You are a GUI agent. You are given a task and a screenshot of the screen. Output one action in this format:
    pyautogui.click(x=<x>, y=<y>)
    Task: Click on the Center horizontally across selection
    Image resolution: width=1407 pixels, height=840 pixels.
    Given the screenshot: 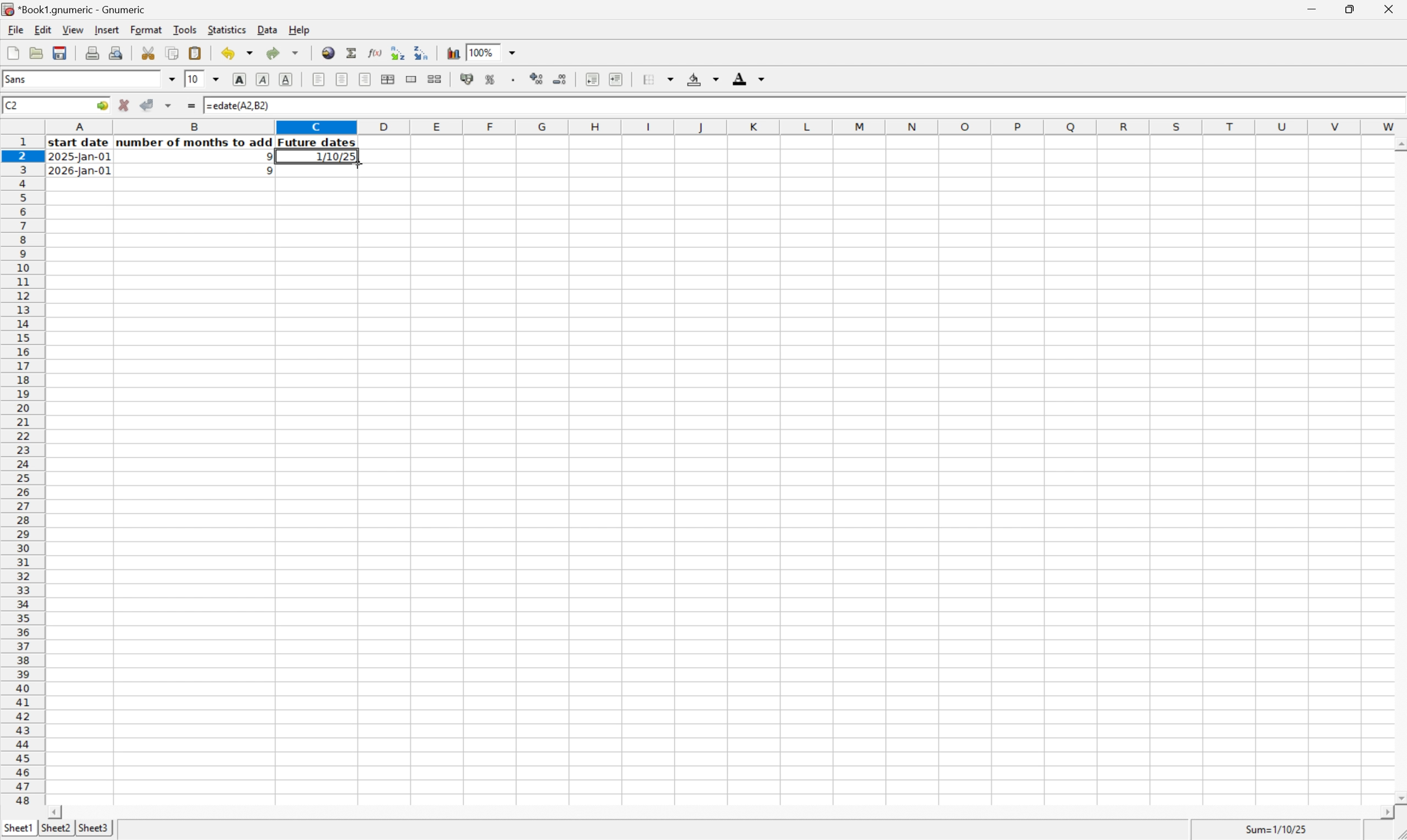 What is the action you would take?
    pyautogui.click(x=389, y=80)
    